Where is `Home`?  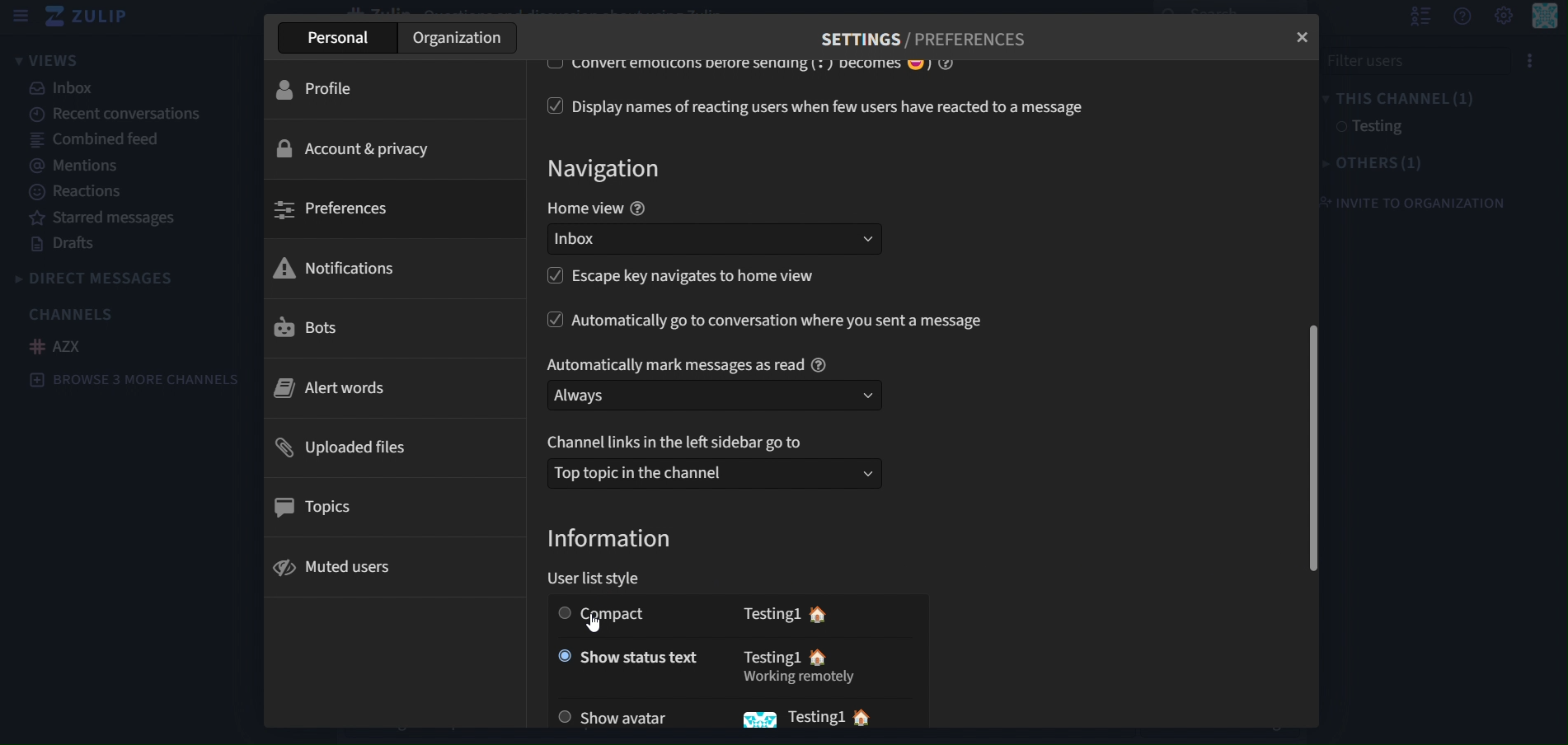
Home is located at coordinates (824, 614).